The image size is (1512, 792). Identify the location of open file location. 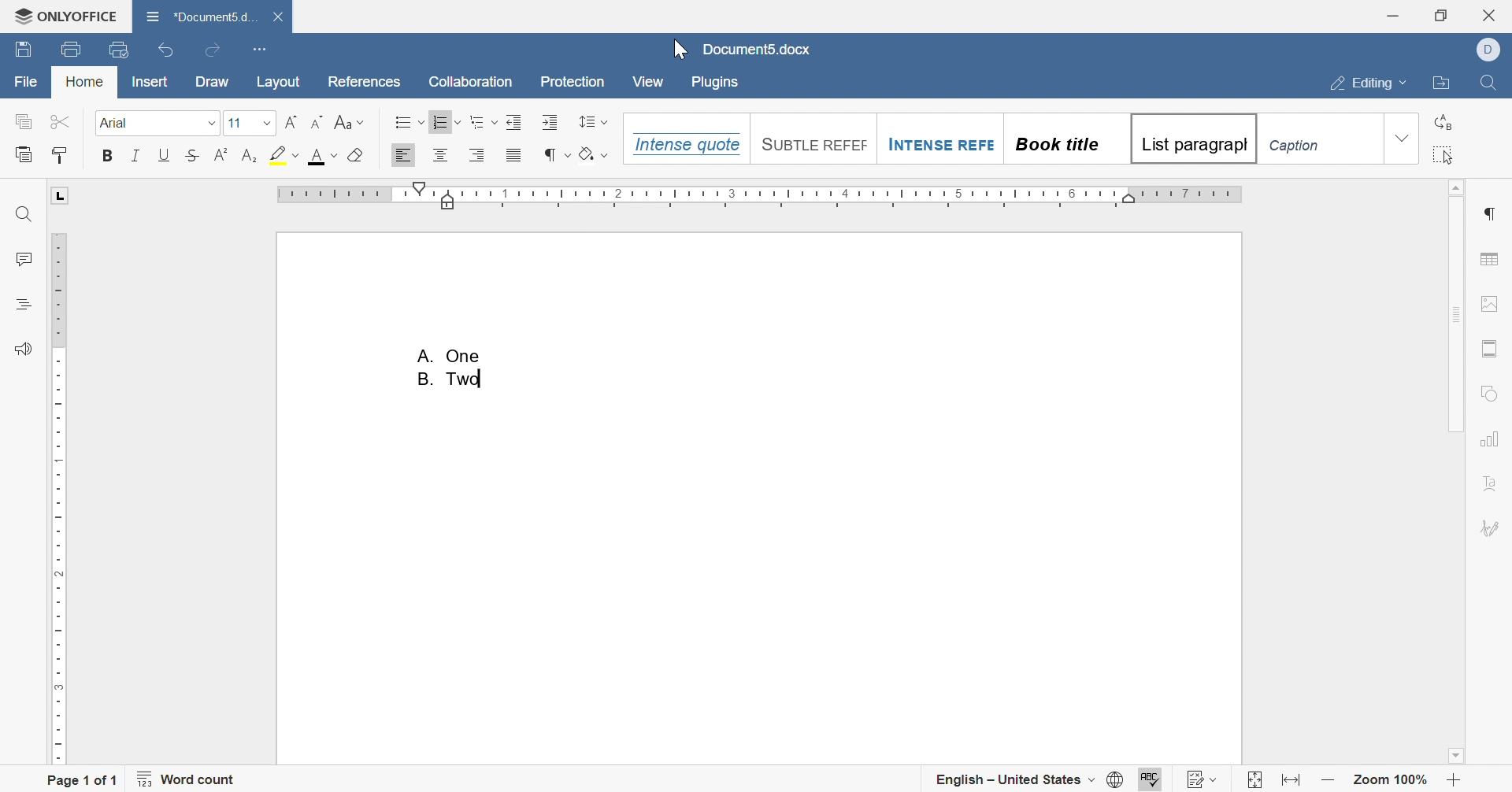
(1441, 84).